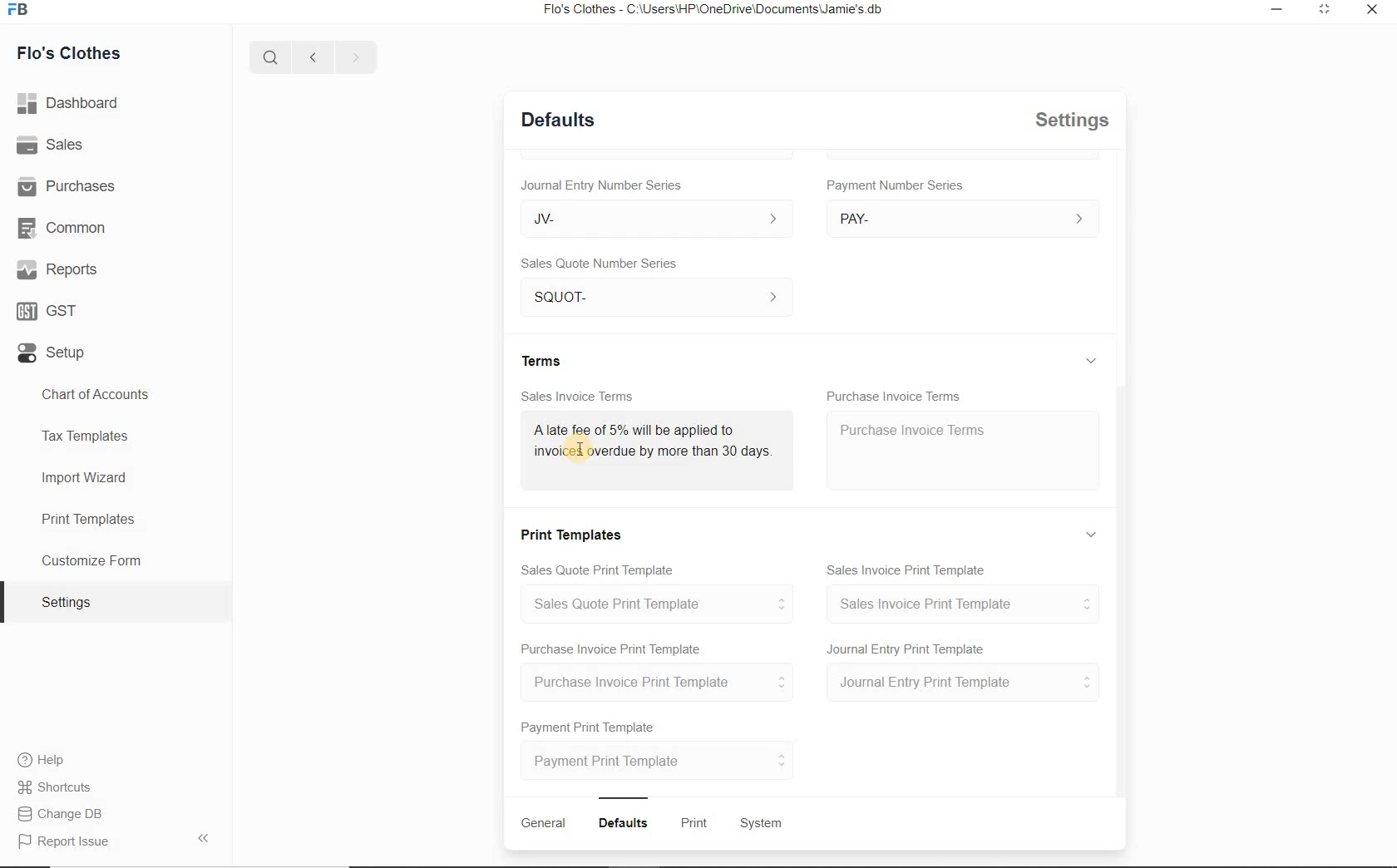 This screenshot has height=868, width=1397. I want to click on Settings, so click(73, 602).